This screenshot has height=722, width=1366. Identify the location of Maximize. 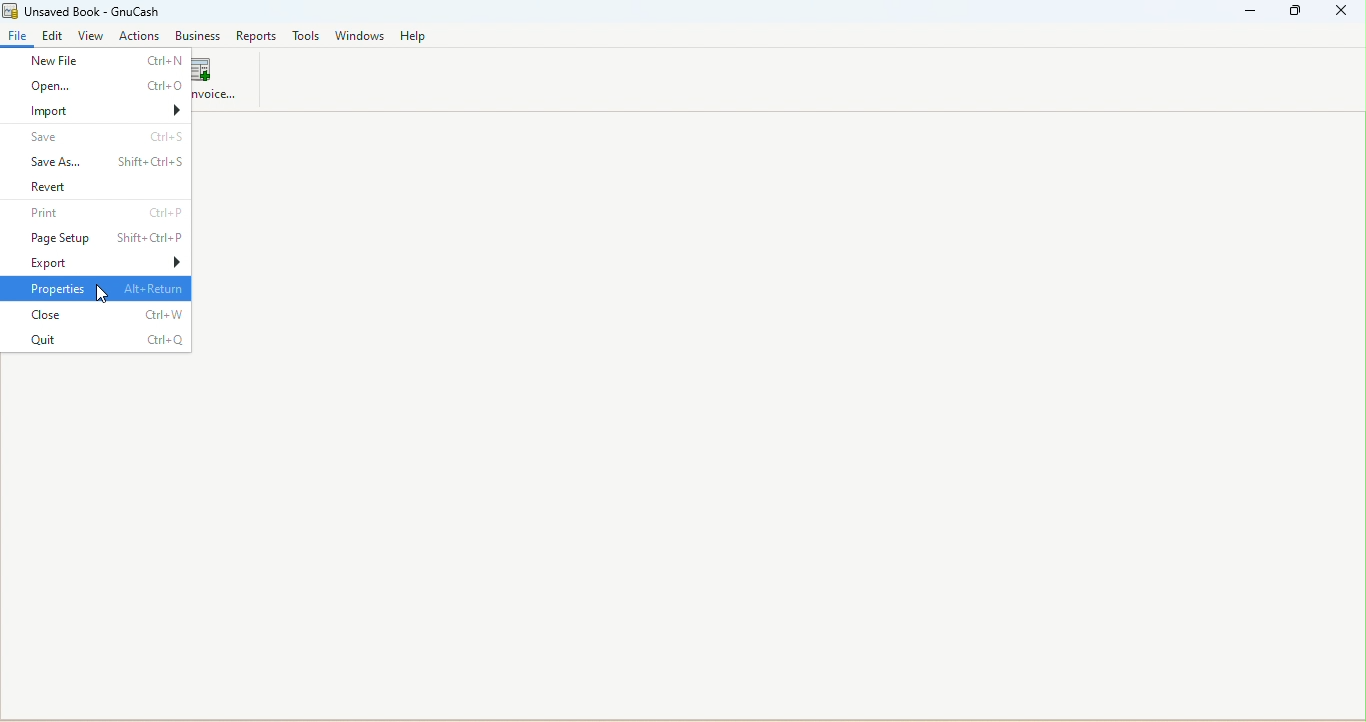
(1294, 12).